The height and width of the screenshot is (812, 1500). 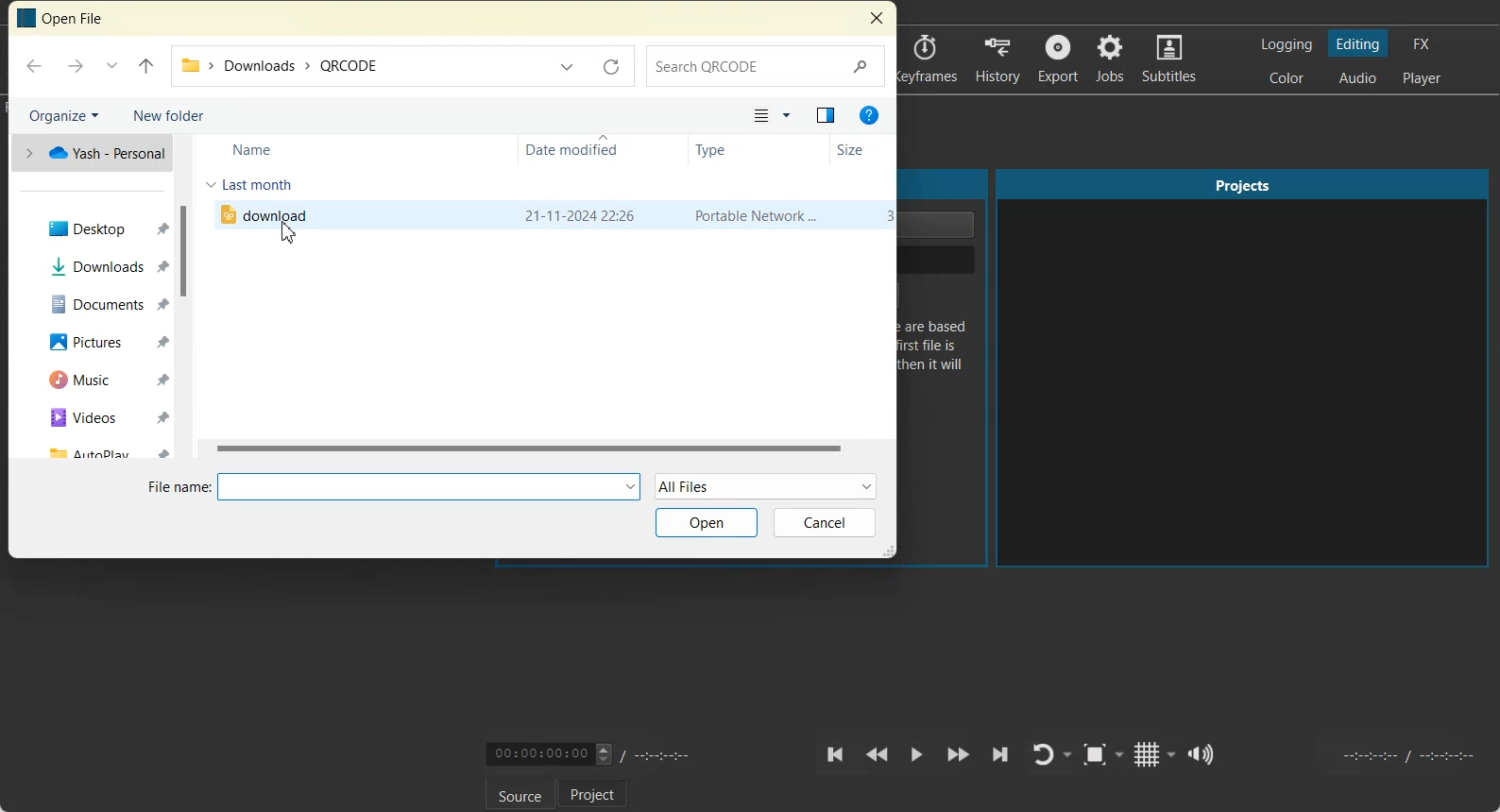 I want to click on Toggle grid display, so click(x=1156, y=753).